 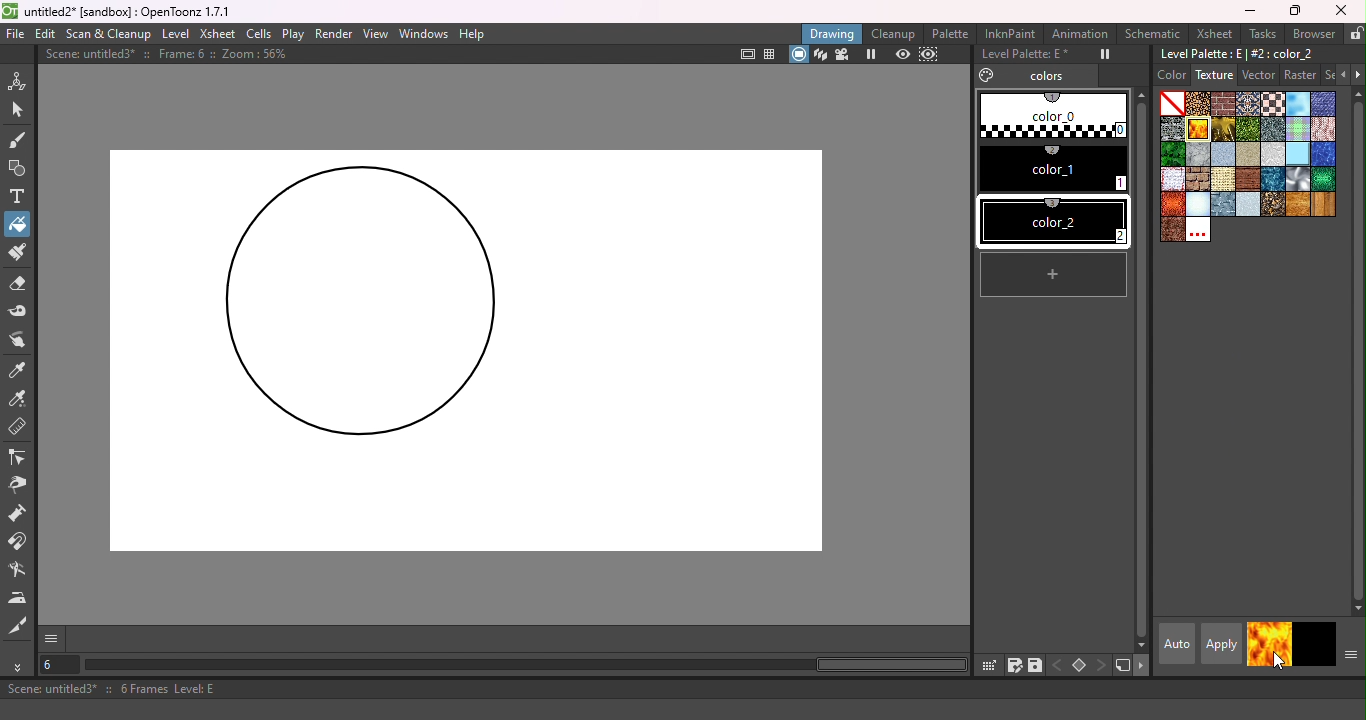 I want to click on Animate tool, so click(x=21, y=78).